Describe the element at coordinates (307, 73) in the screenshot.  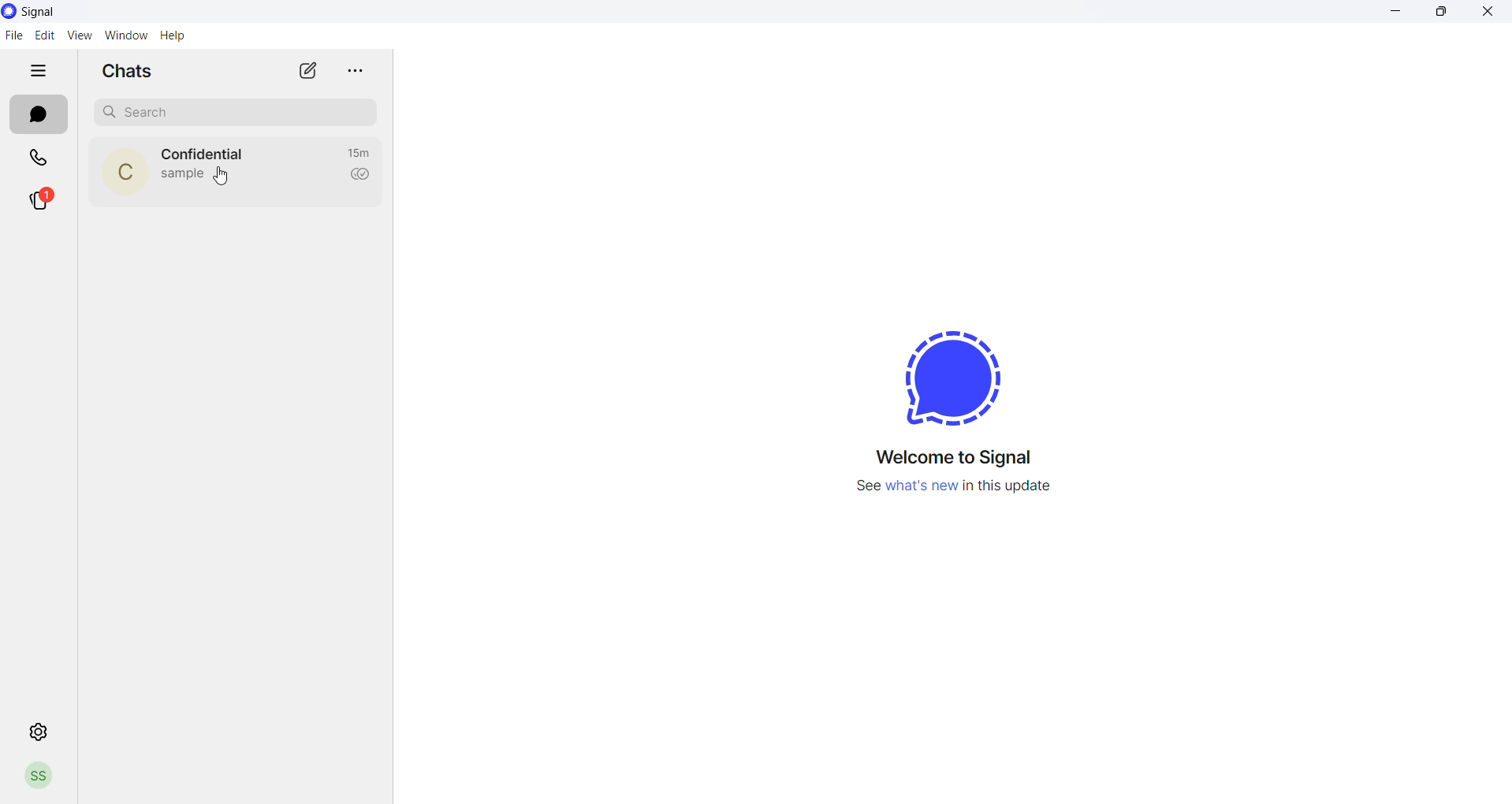
I see `new chat` at that location.